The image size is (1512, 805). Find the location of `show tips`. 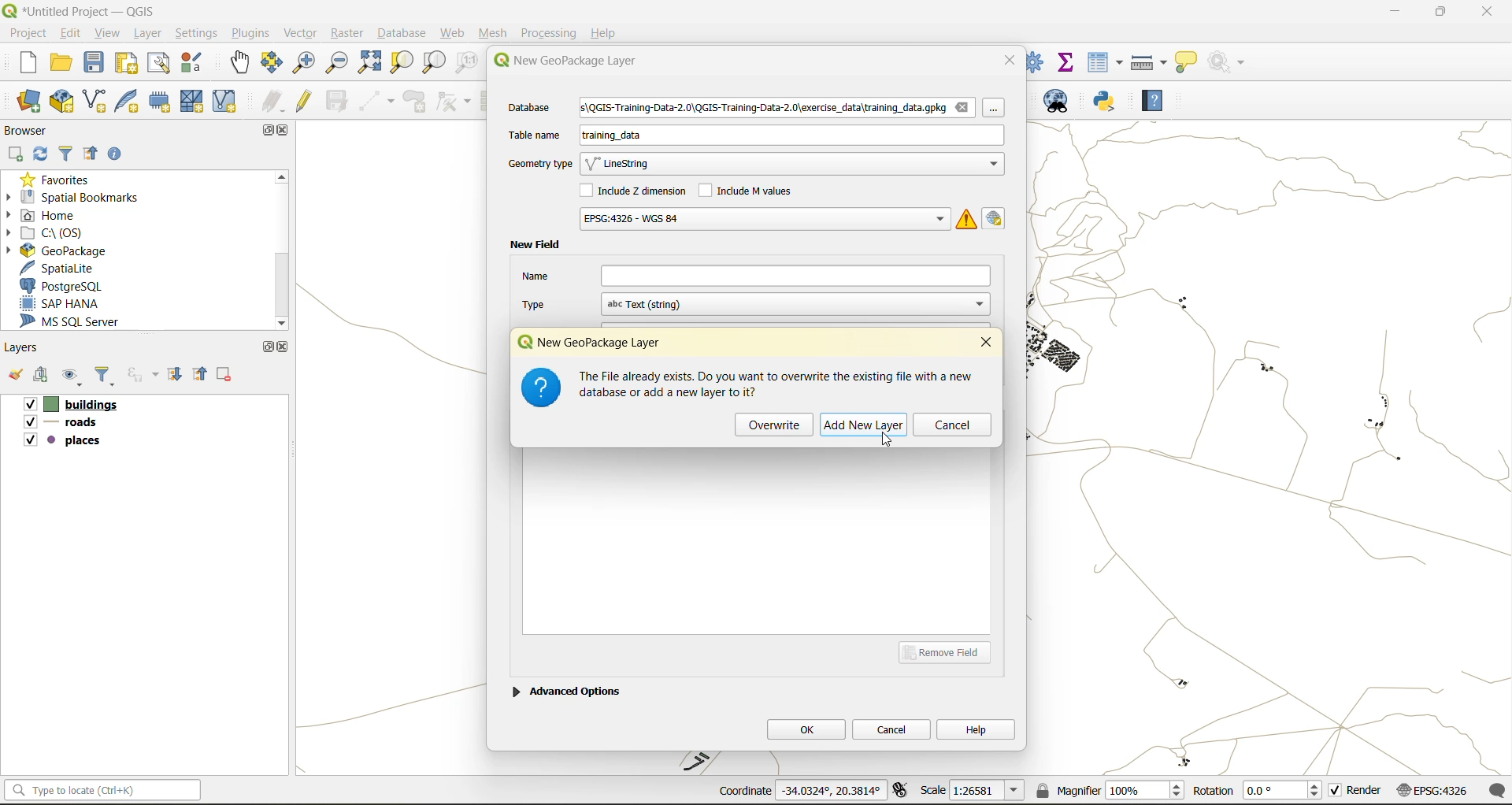

show tips is located at coordinates (1187, 63).